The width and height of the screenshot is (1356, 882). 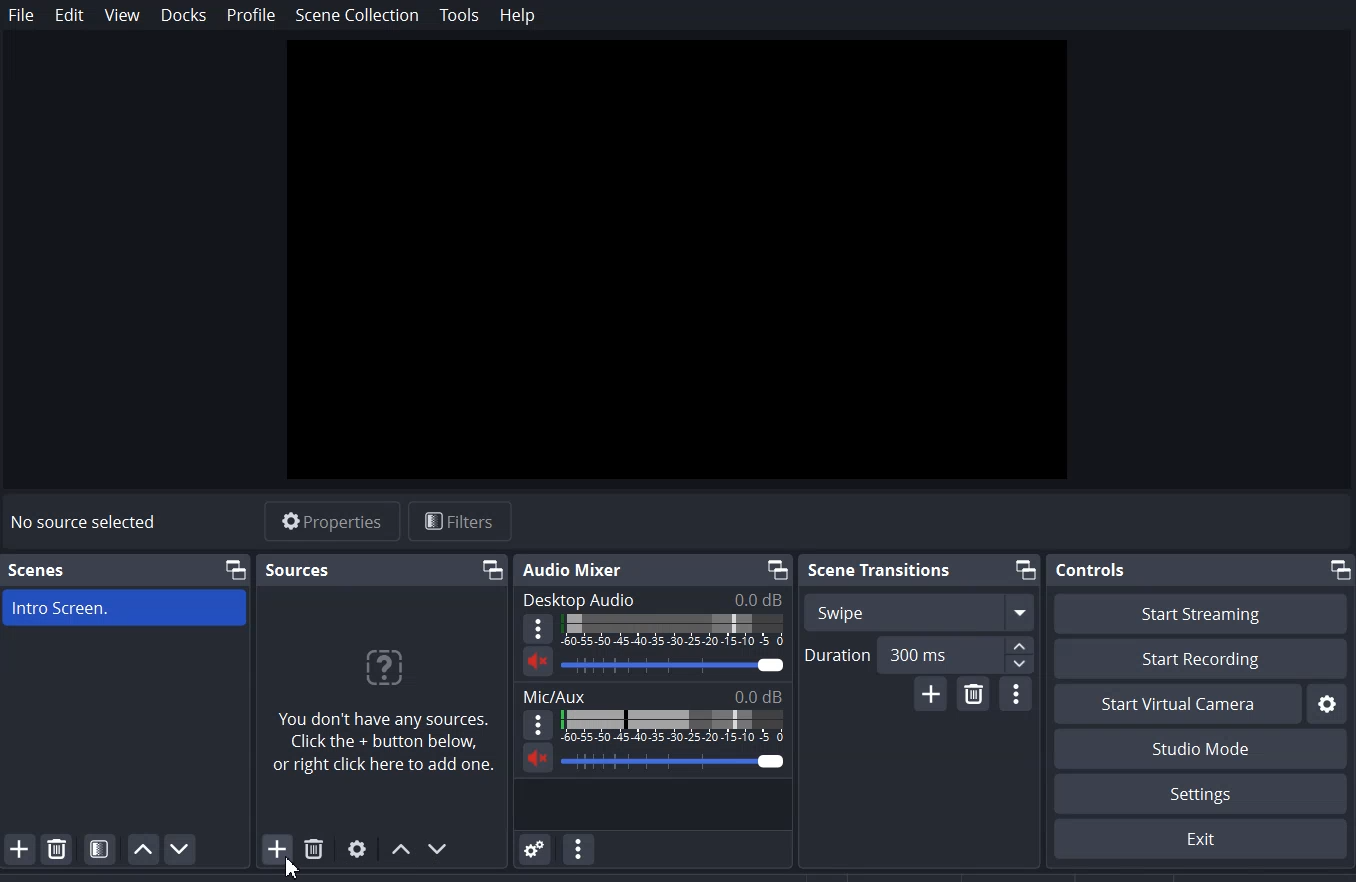 I want to click on More, so click(x=539, y=628).